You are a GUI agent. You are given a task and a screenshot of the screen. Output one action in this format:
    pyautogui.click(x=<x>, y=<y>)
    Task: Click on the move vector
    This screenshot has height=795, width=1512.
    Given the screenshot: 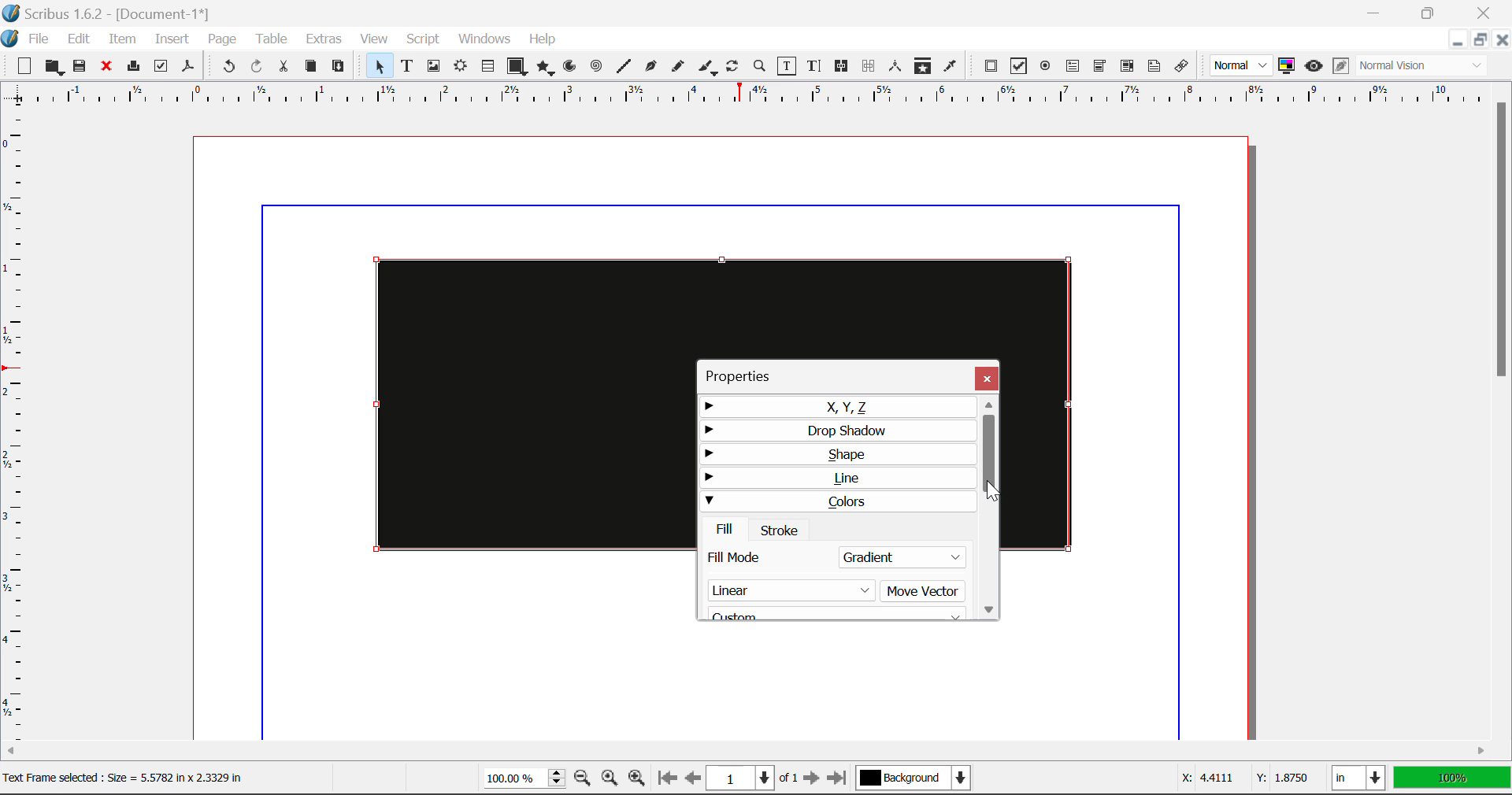 What is the action you would take?
    pyautogui.click(x=924, y=590)
    